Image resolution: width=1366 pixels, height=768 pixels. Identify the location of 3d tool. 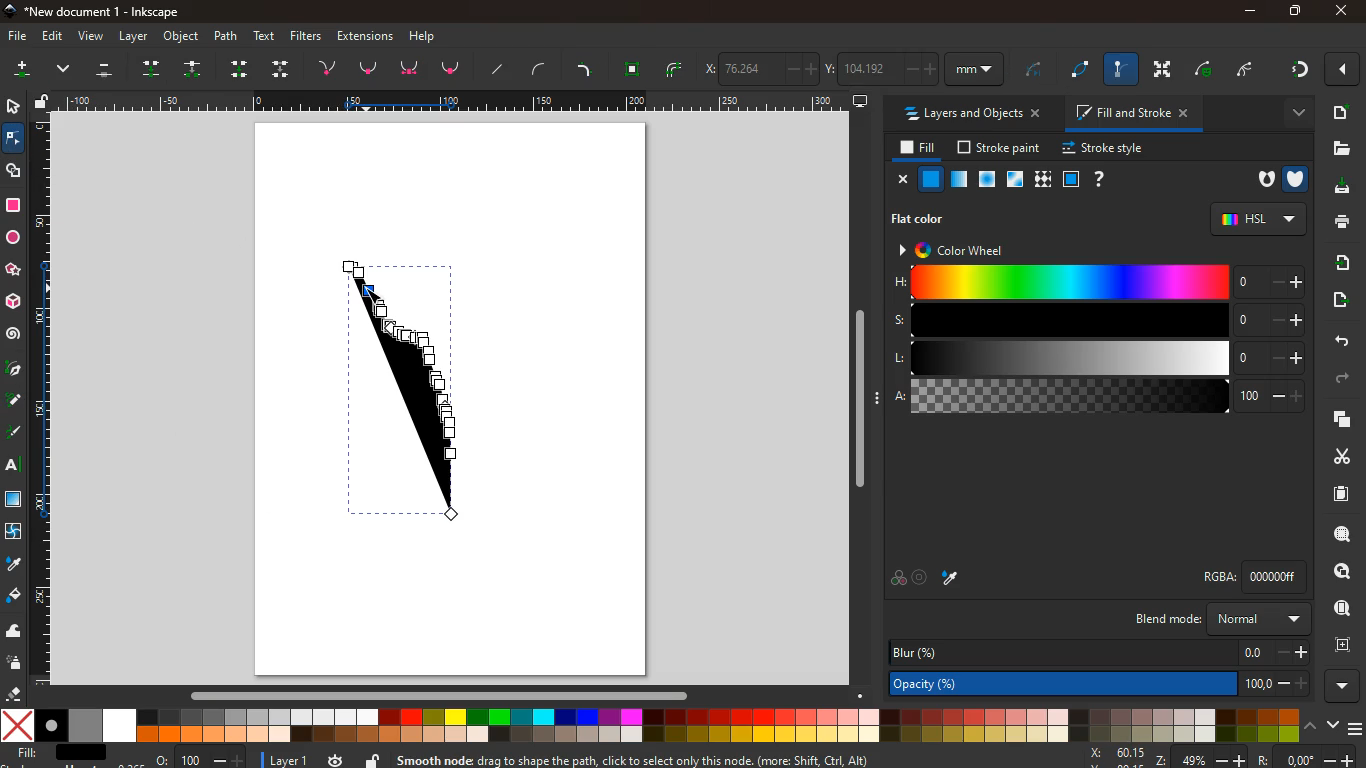
(15, 302).